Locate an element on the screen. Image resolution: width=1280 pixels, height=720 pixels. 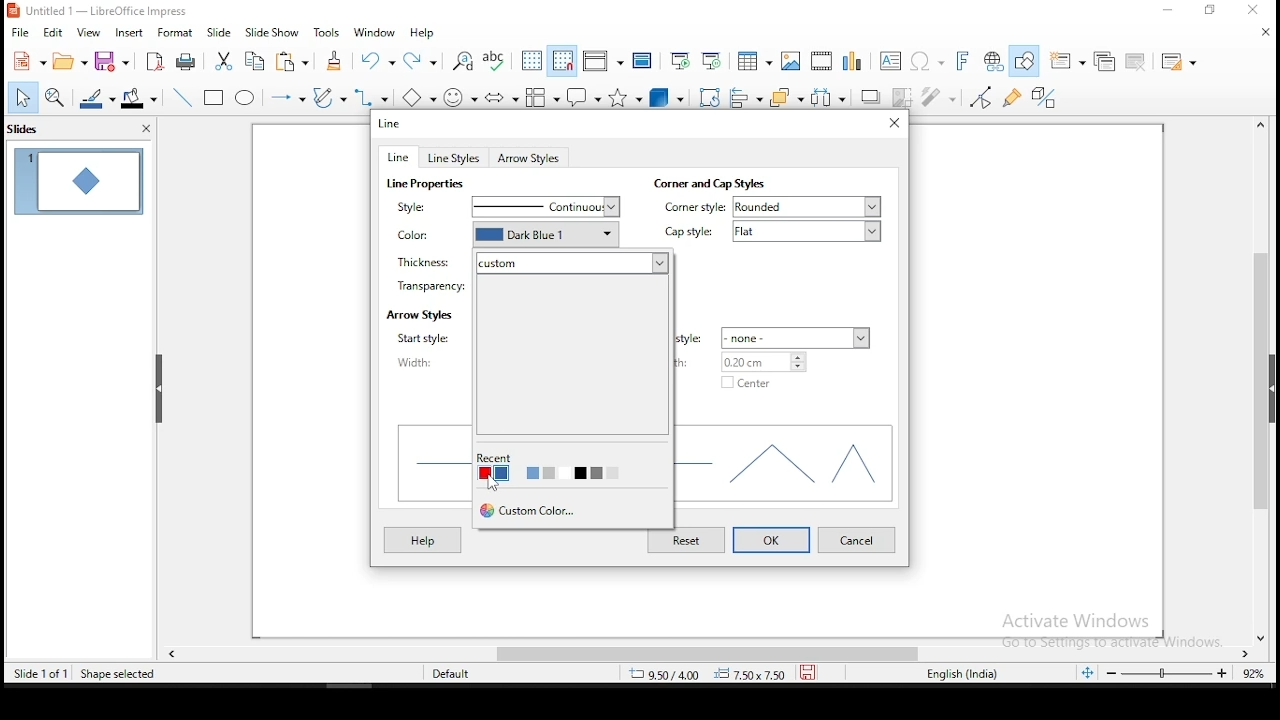
line style is located at coordinates (424, 207).